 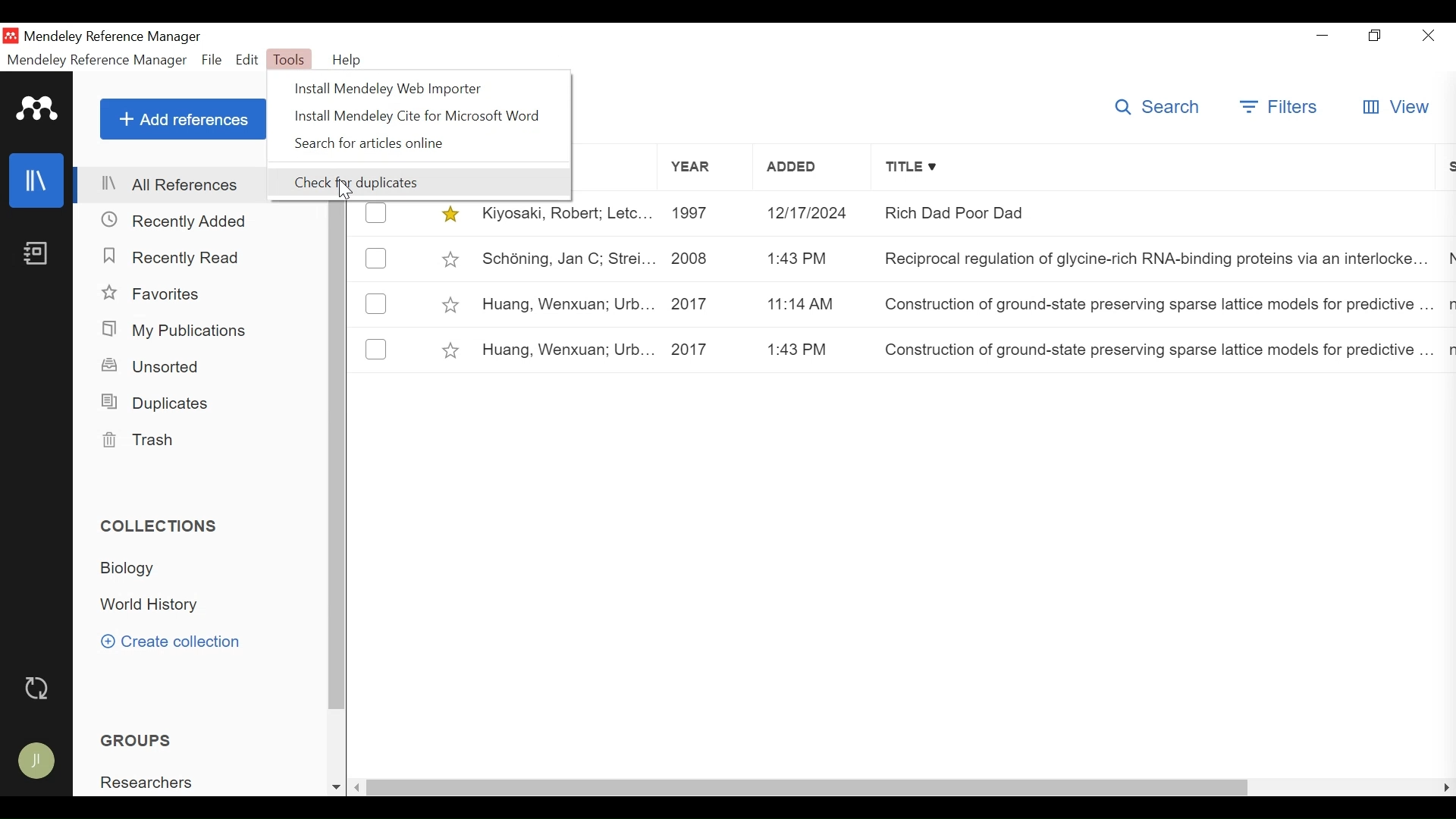 What do you see at coordinates (375, 303) in the screenshot?
I see `(un)select` at bounding box center [375, 303].